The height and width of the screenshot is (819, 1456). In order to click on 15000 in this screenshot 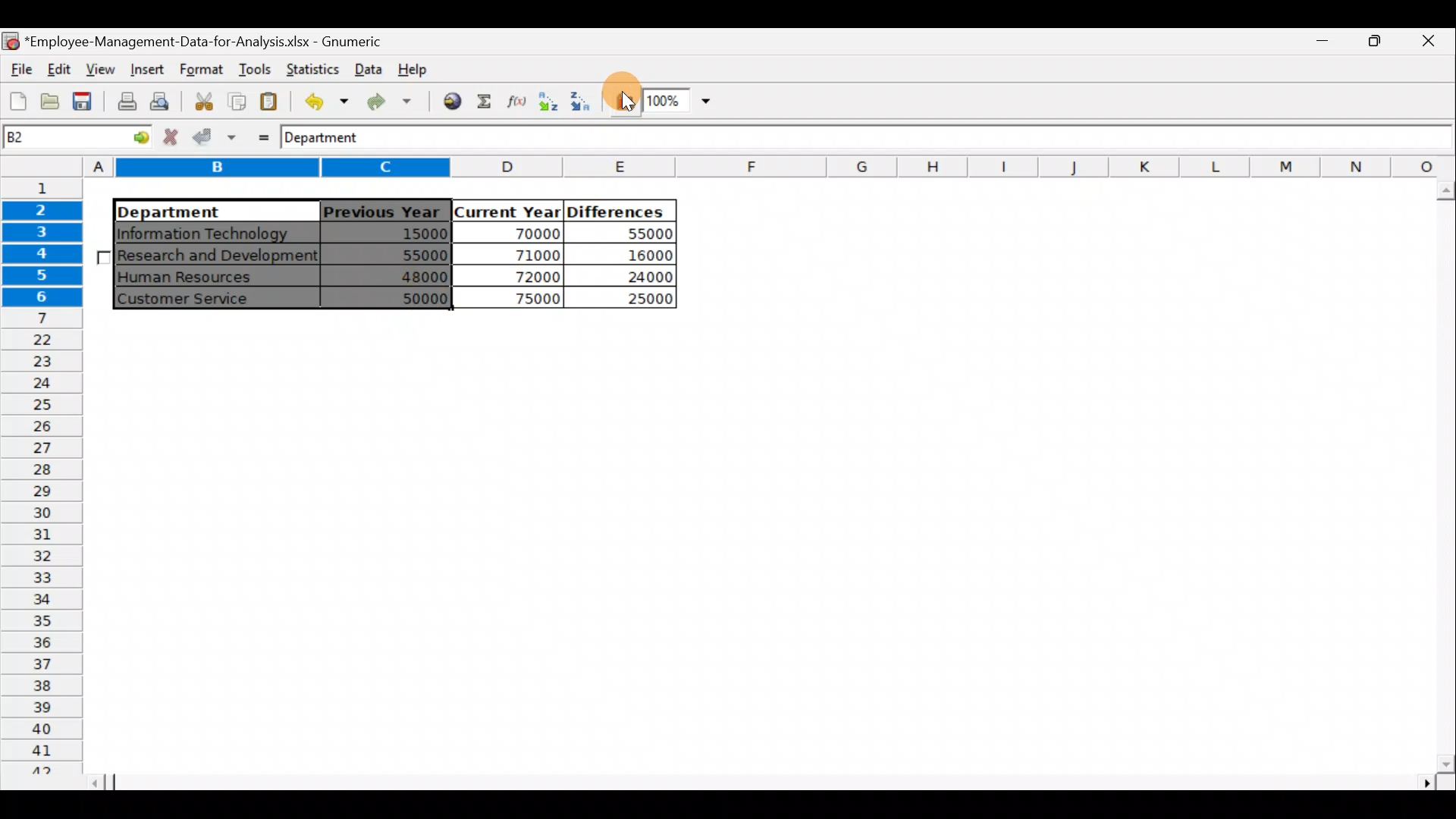, I will do `click(397, 236)`.